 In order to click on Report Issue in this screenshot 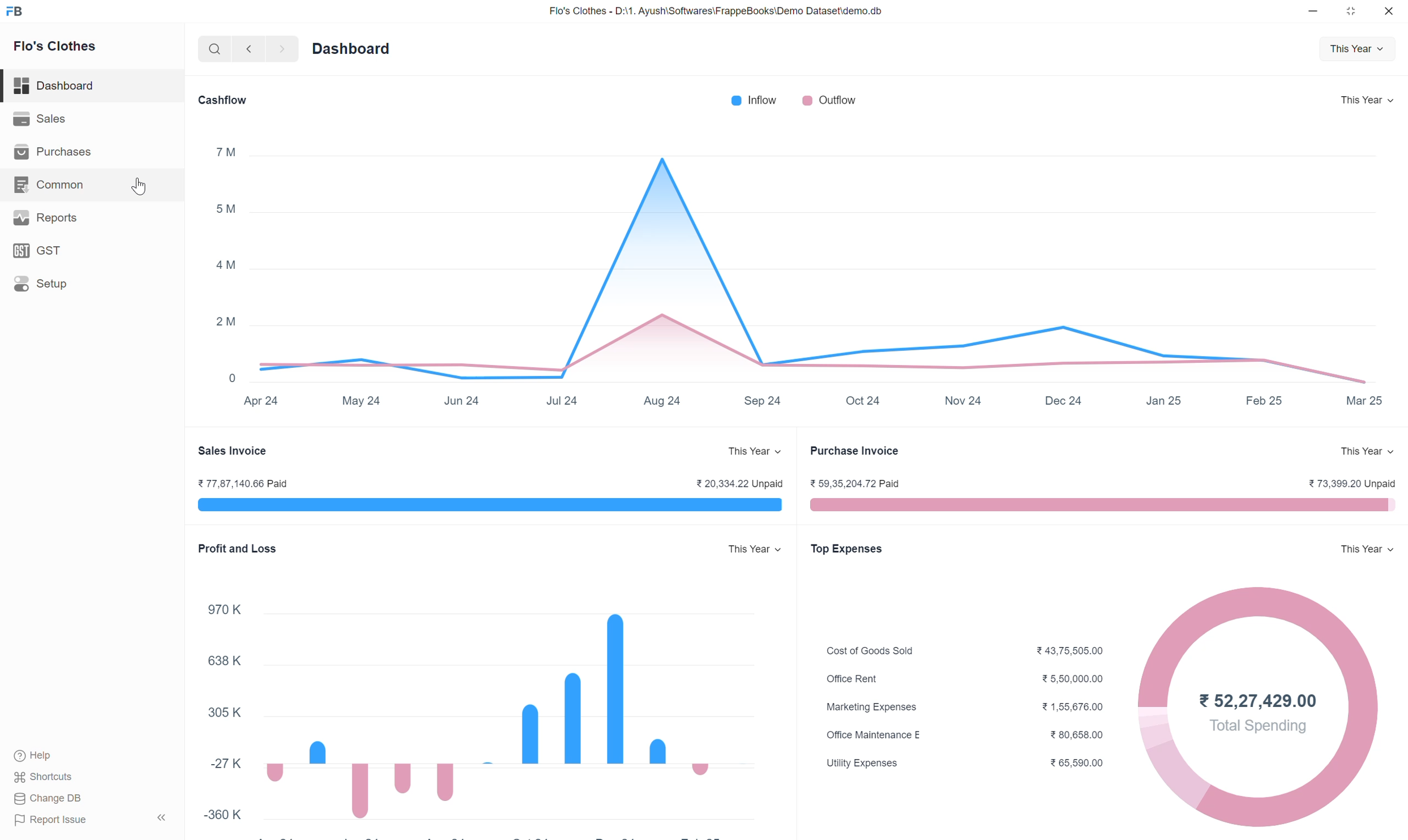, I will do `click(92, 820)`.